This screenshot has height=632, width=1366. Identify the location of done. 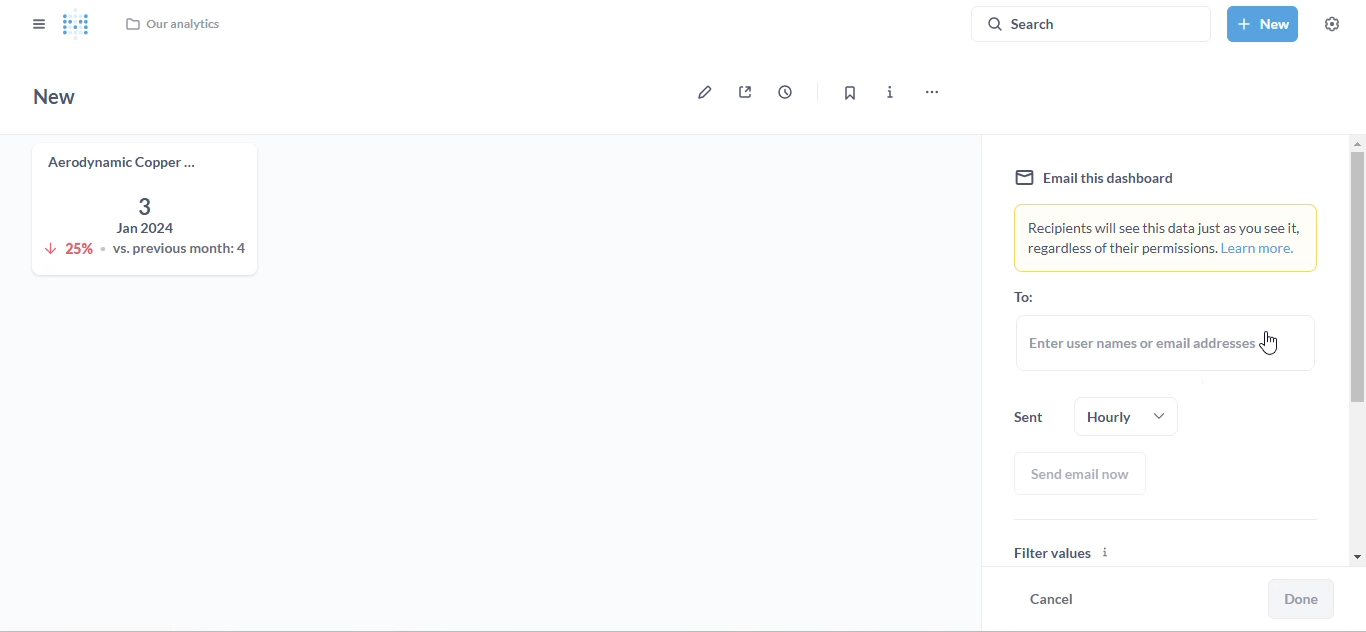
(1301, 599).